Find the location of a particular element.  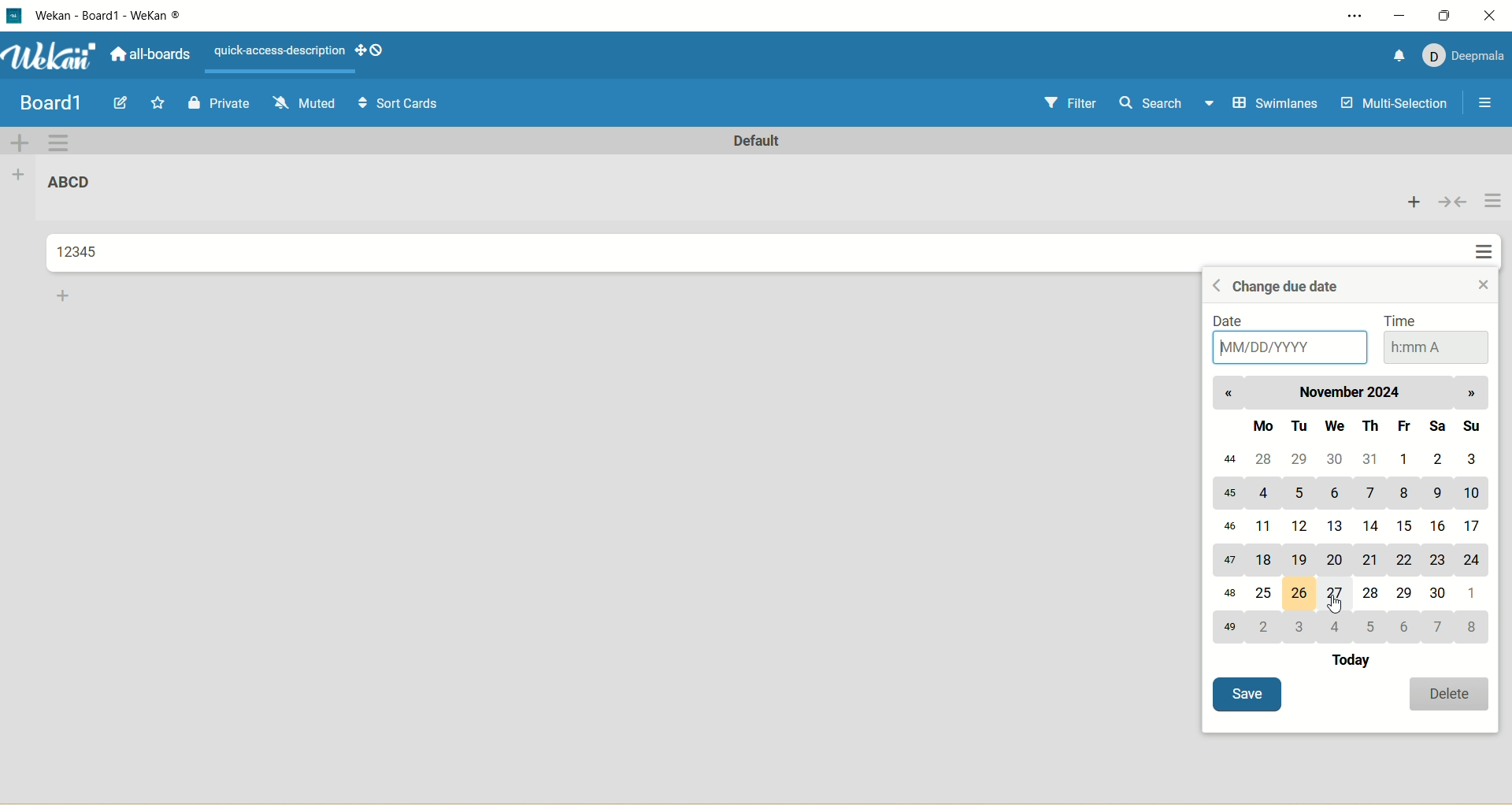

day names is located at coordinates (1355, 427).